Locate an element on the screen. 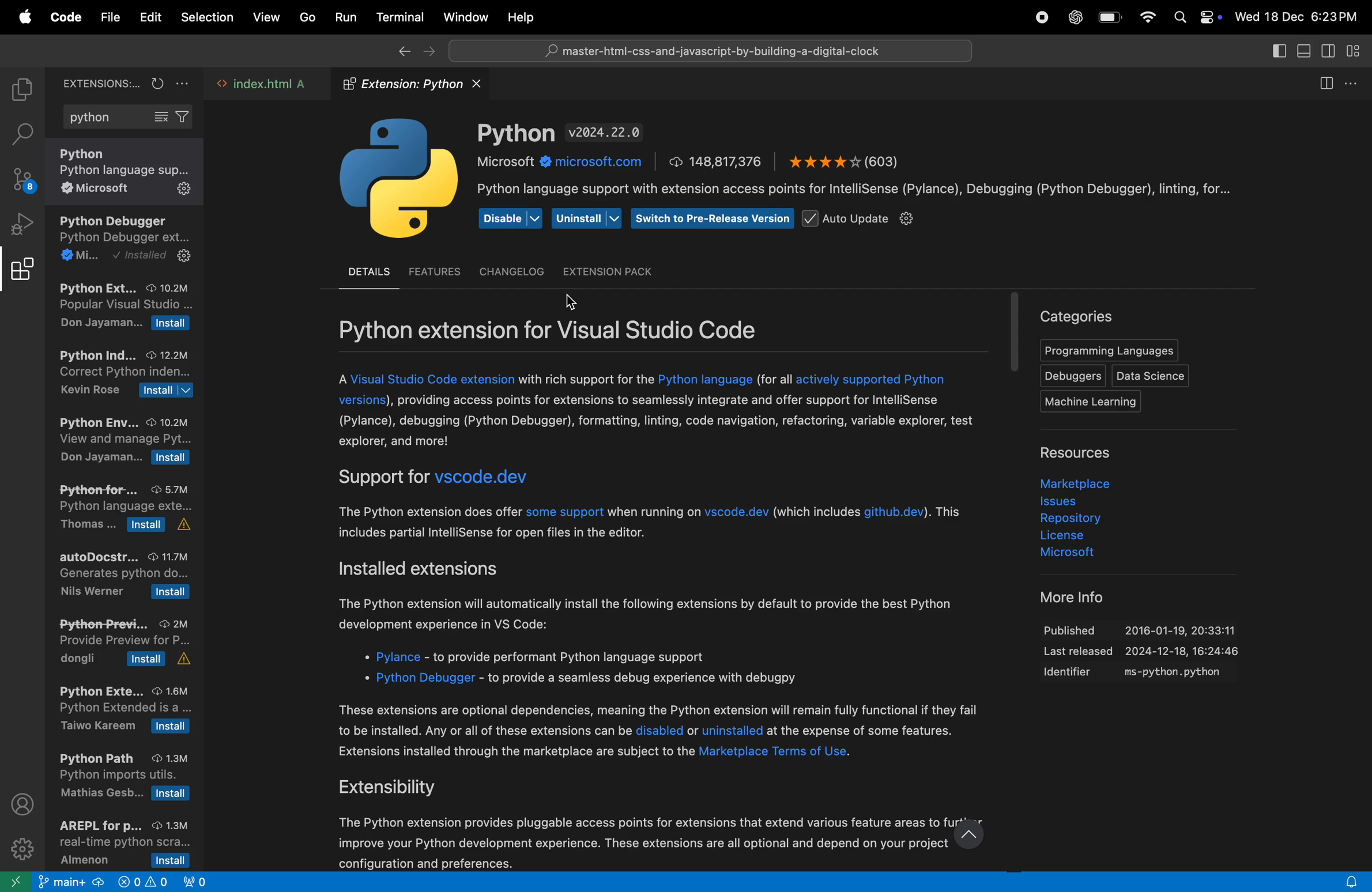 The height and width of the screenshot is (892, 1372). Features is located at coordinates (436, 270).